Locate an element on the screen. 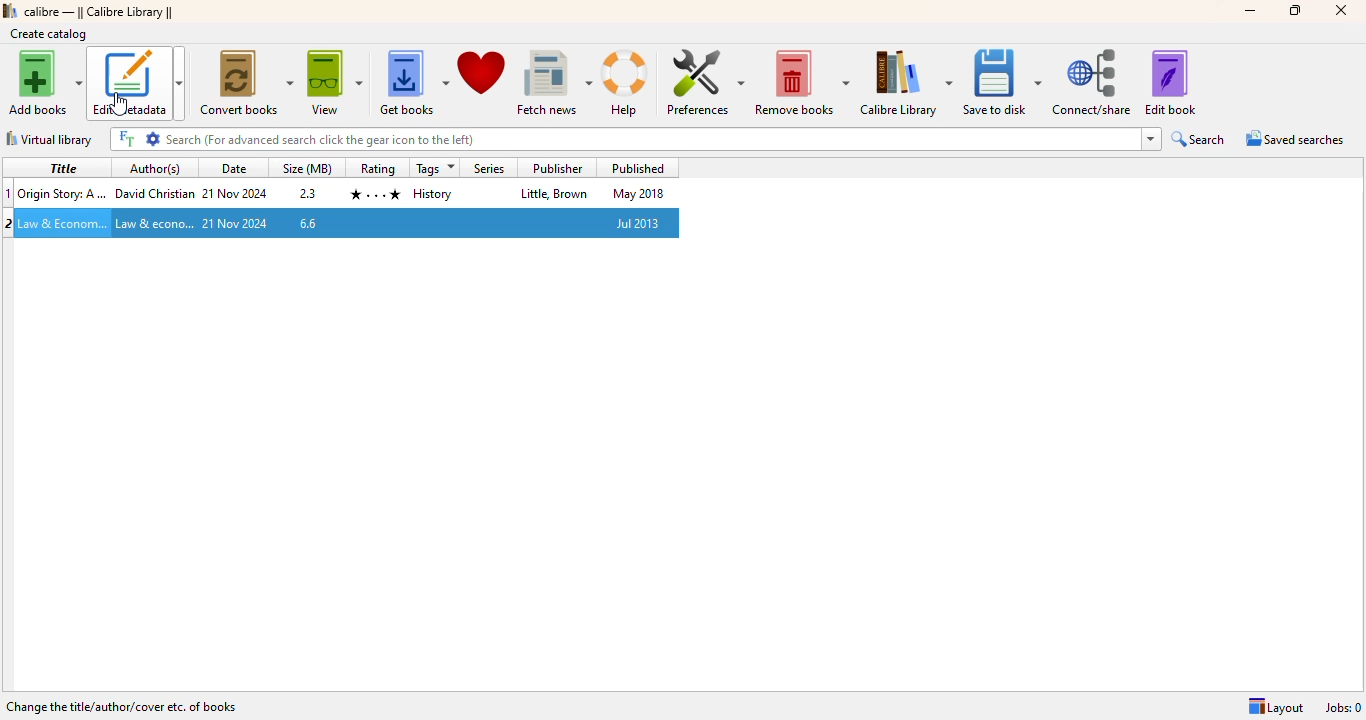 The width and height of the screenshot is (1366, 720). title is located at coordinates (61, 167).